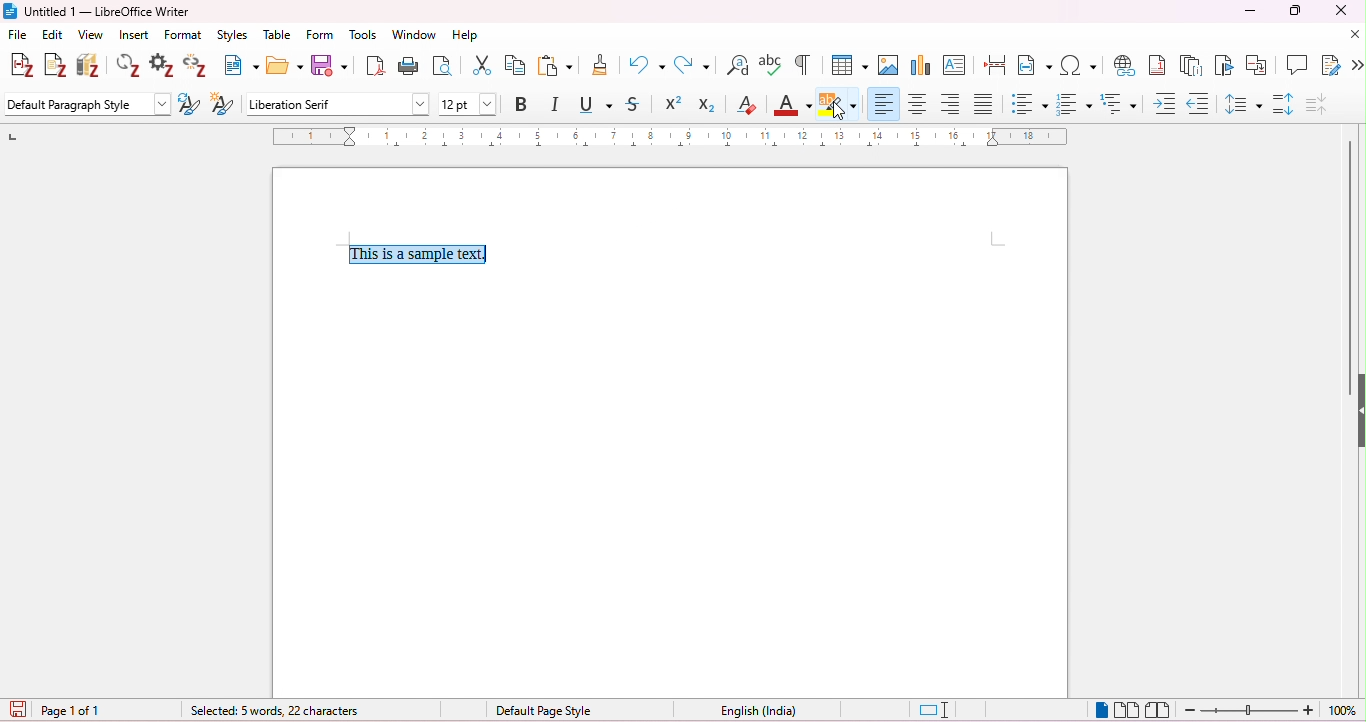 The width and height of the screenshot is (1366, 722). What do you see at coordinates (1284, 105) in the screenshot?
I see `increase paragraph spacing` at bounding box center [1284, 105].